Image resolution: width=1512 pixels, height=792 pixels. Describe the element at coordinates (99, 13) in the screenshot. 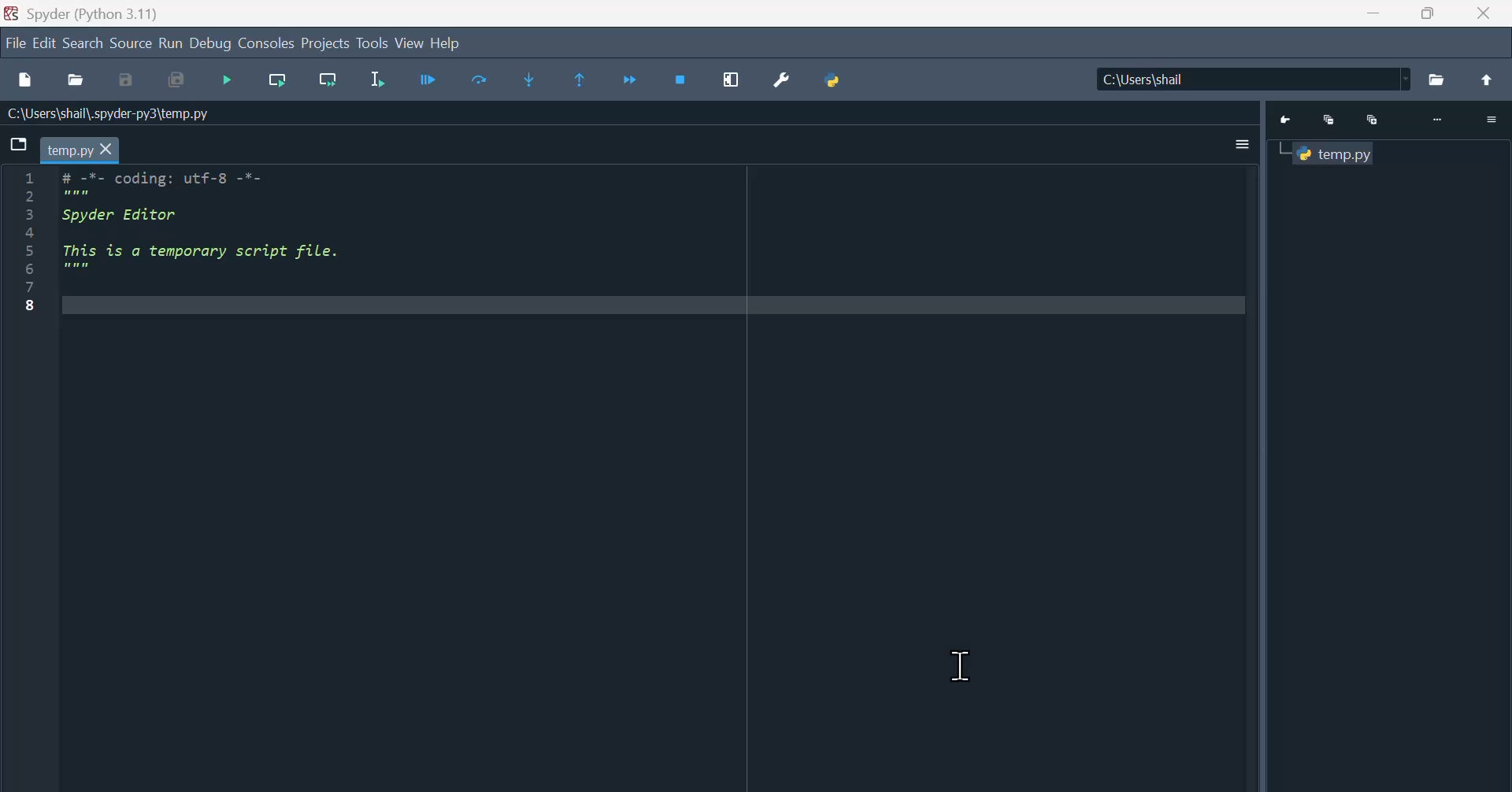

I see `Spyder (Python 3.11)` at that location.